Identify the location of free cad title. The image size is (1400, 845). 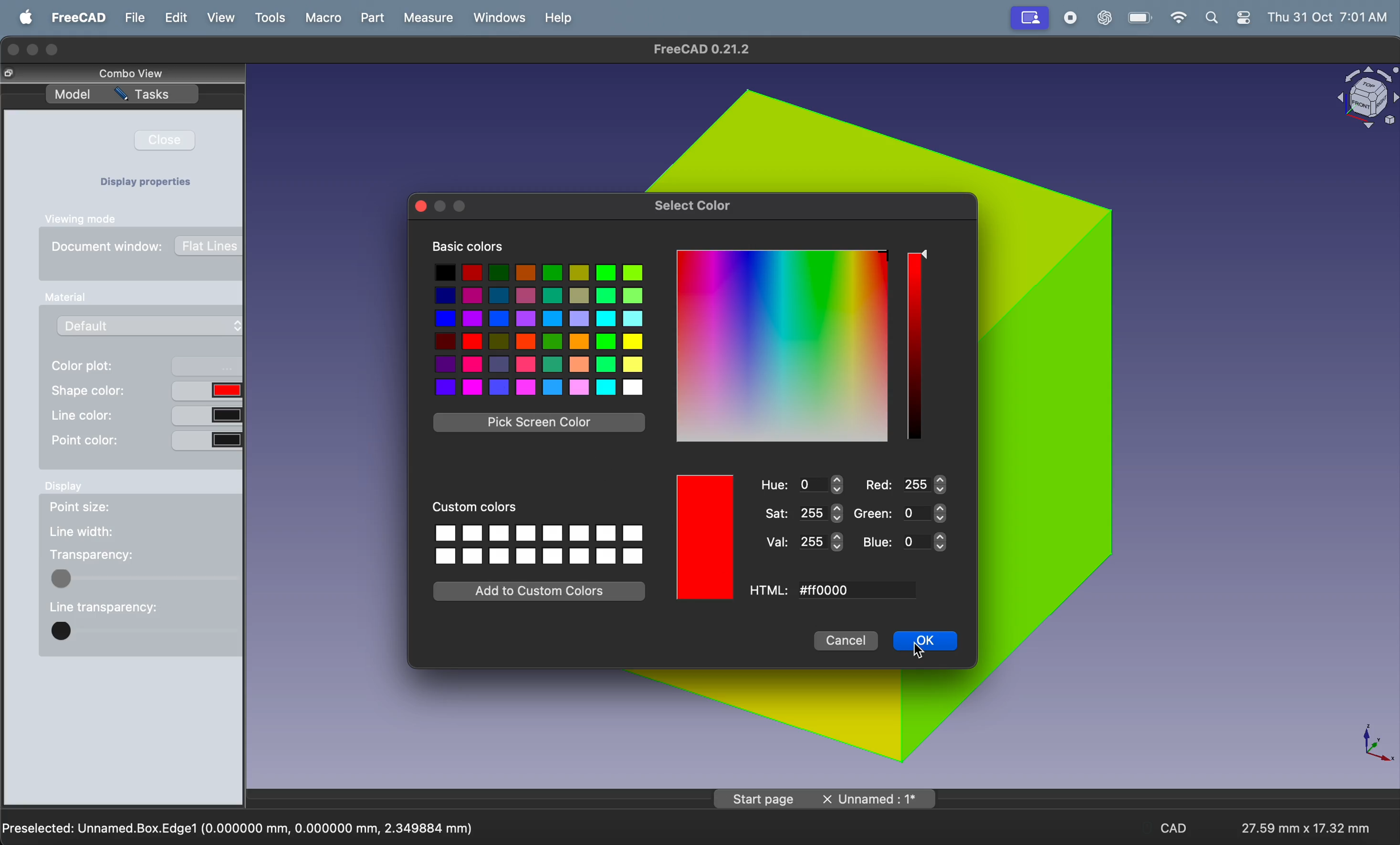
(706, 49).